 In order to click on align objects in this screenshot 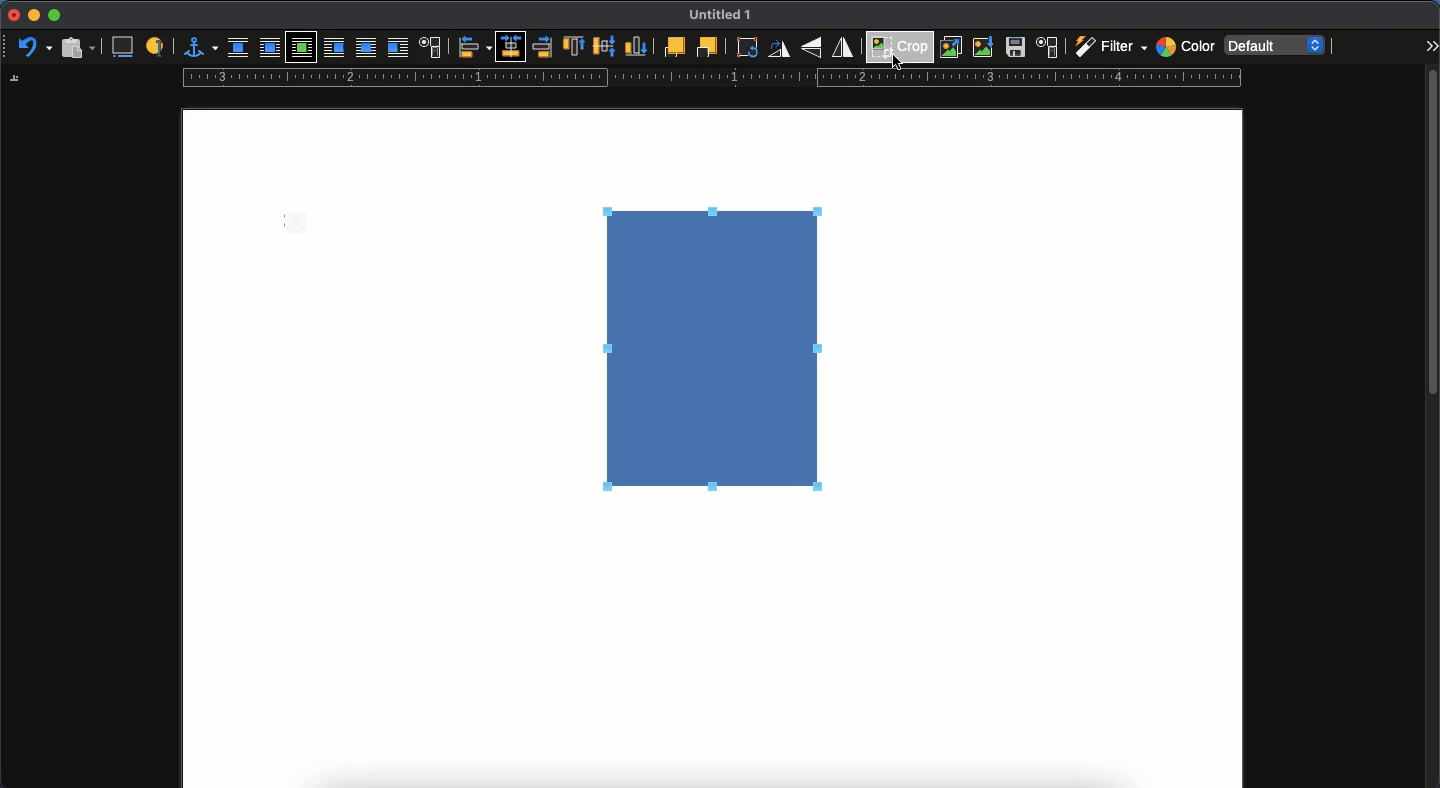, I will do `click(475, 47)`.